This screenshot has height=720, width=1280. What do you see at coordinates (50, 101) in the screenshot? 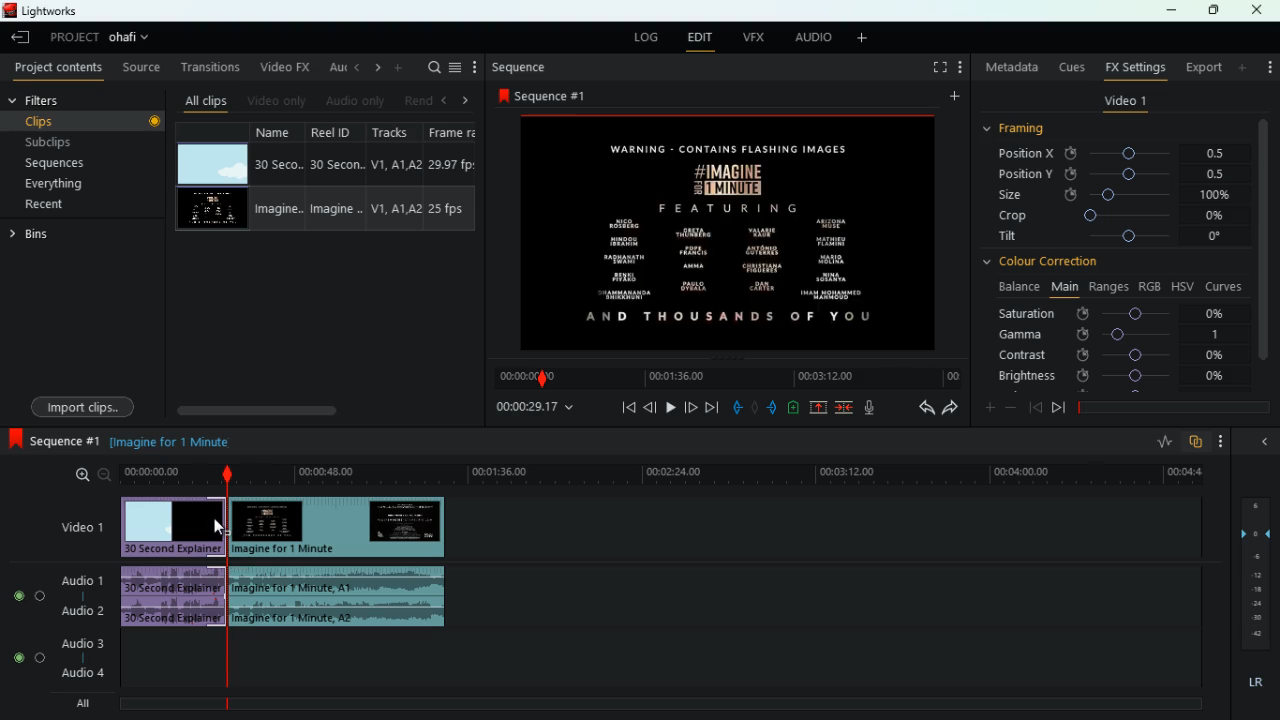
I see `filters` at bounding box center [50, 101].